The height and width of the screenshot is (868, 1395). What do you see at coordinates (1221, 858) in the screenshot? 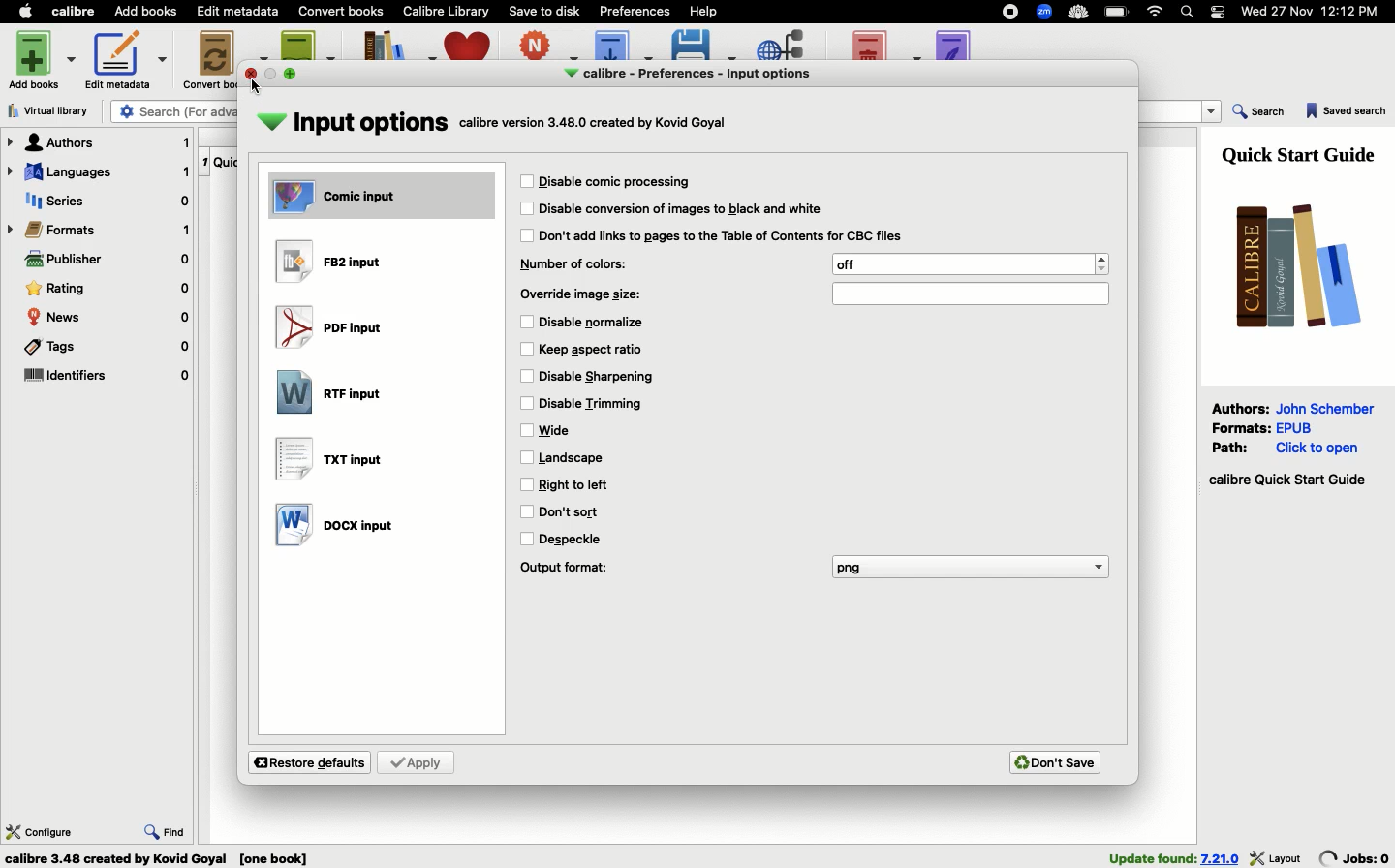
I see `version` at bounding box center [1221, 858].